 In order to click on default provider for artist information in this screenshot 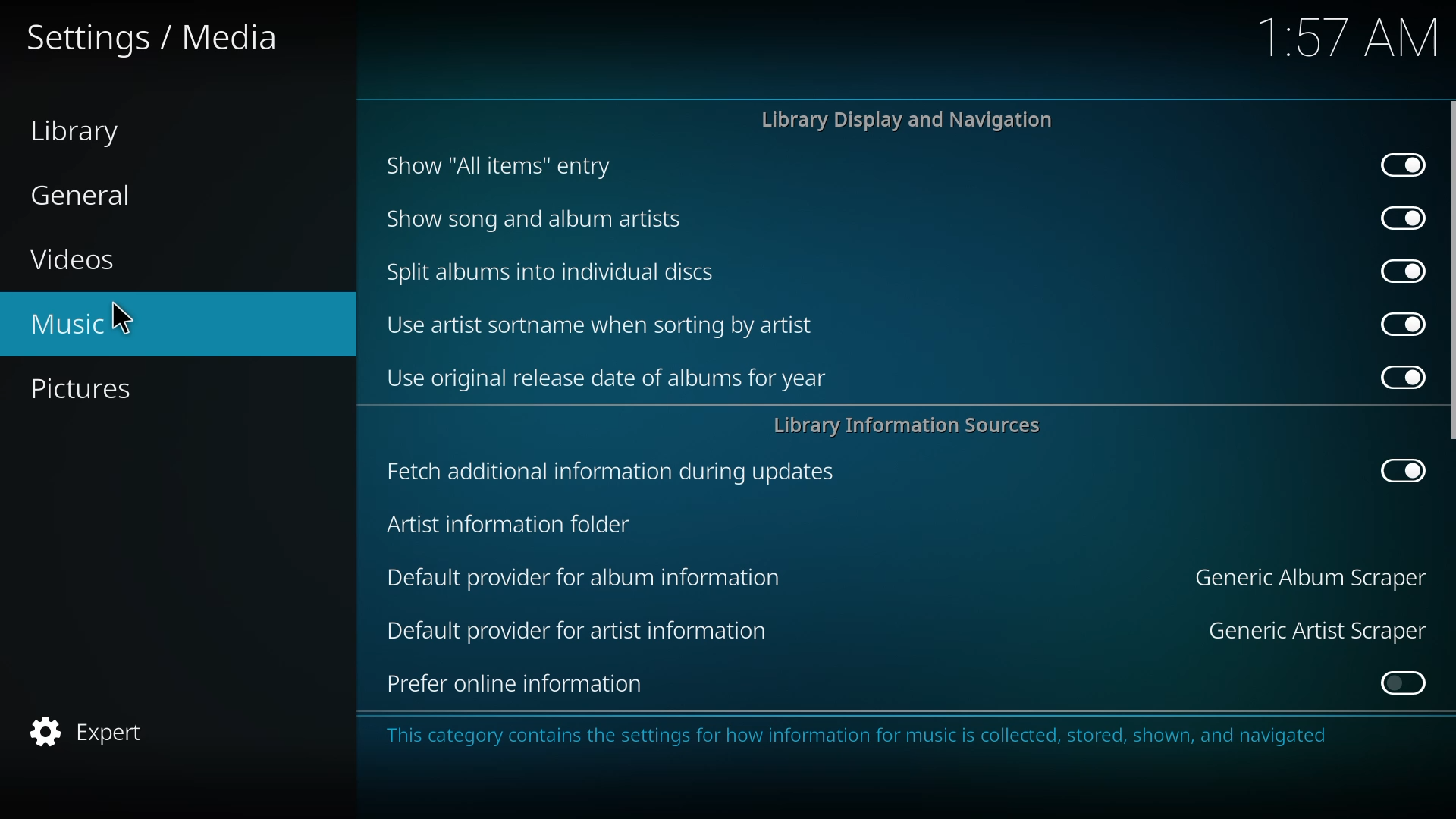, I will do `click(578, 631)`.